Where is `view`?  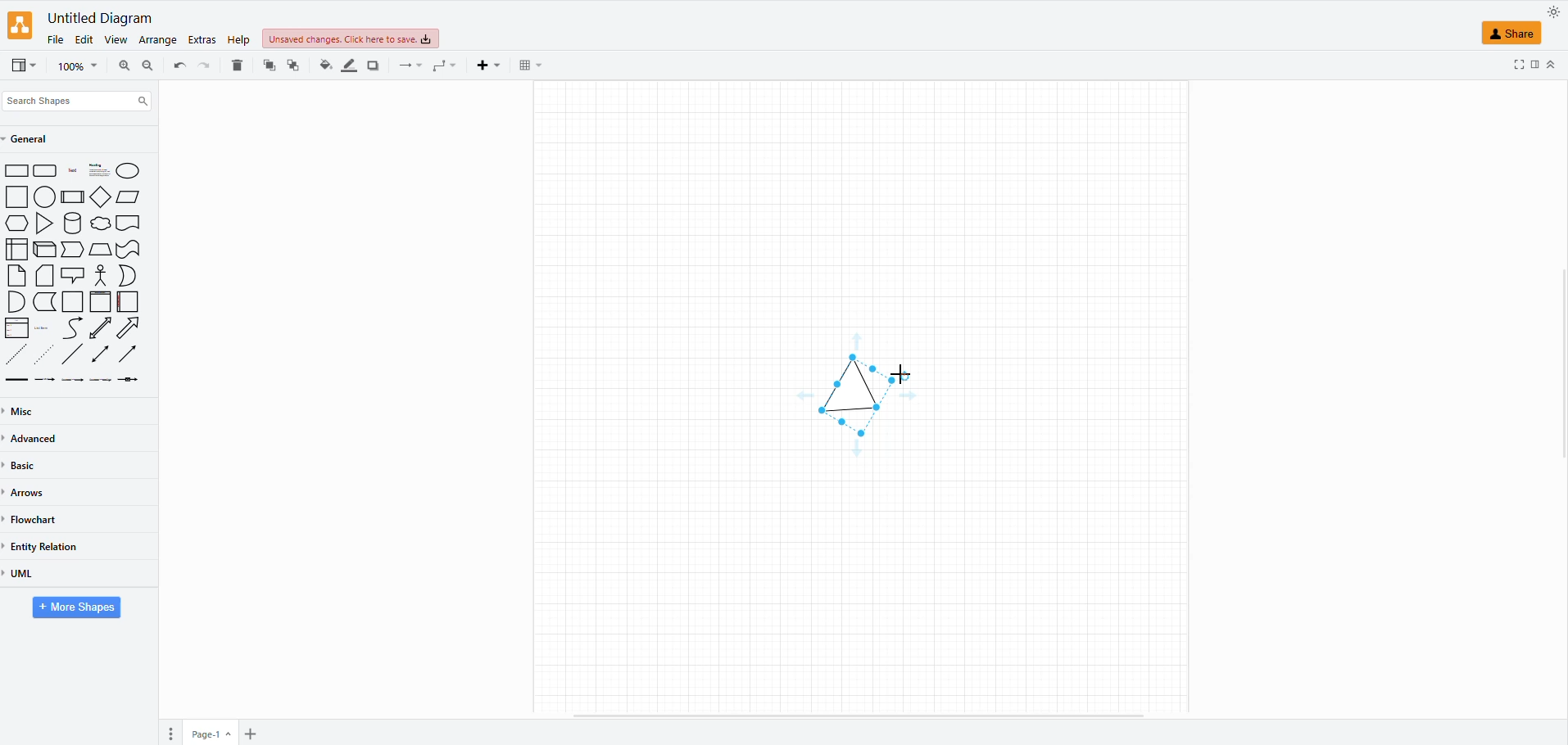
view is located at coordinates (115, 38).